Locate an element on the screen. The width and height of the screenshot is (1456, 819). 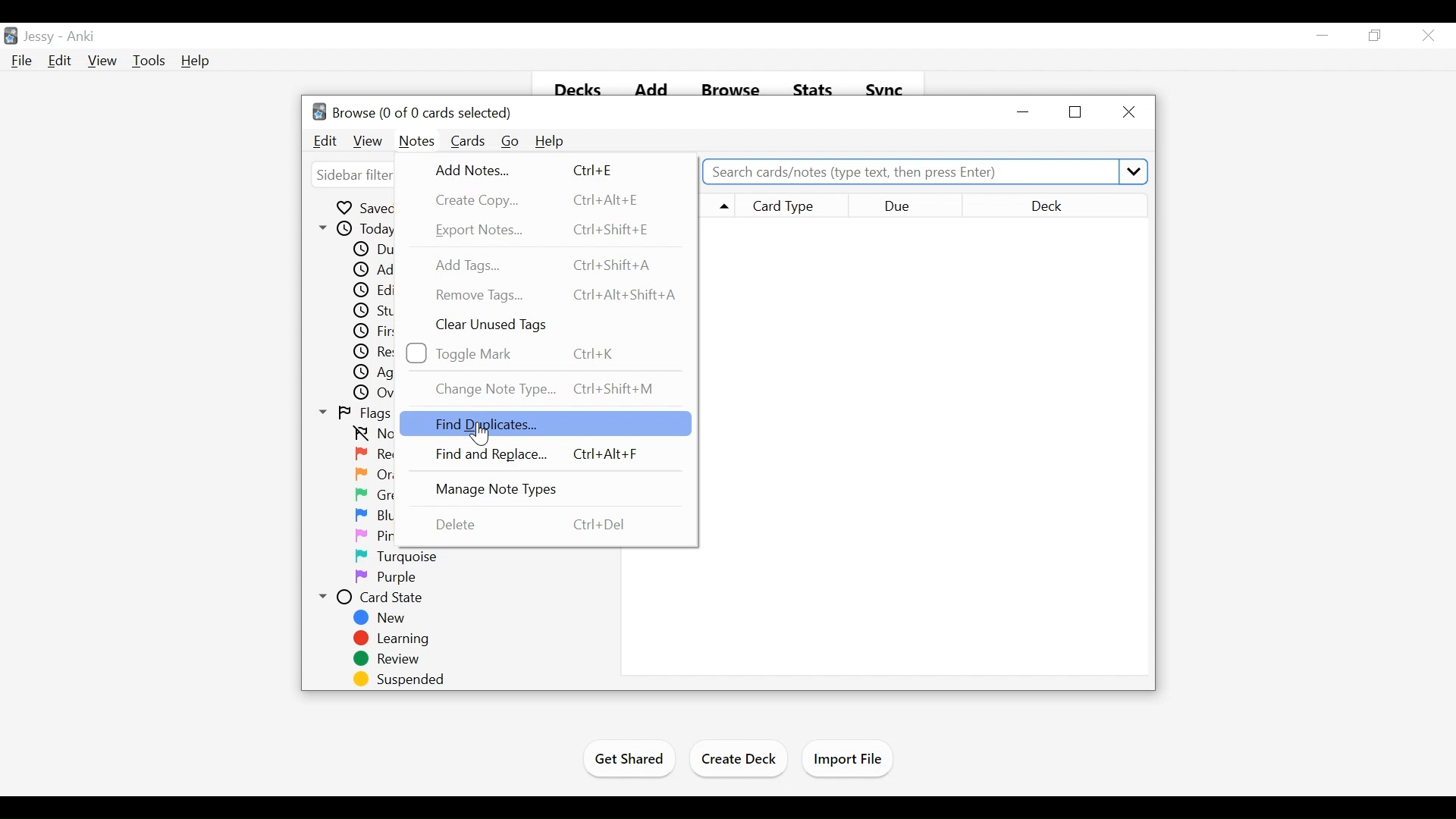
Tools is located at coordinates (148, 61).